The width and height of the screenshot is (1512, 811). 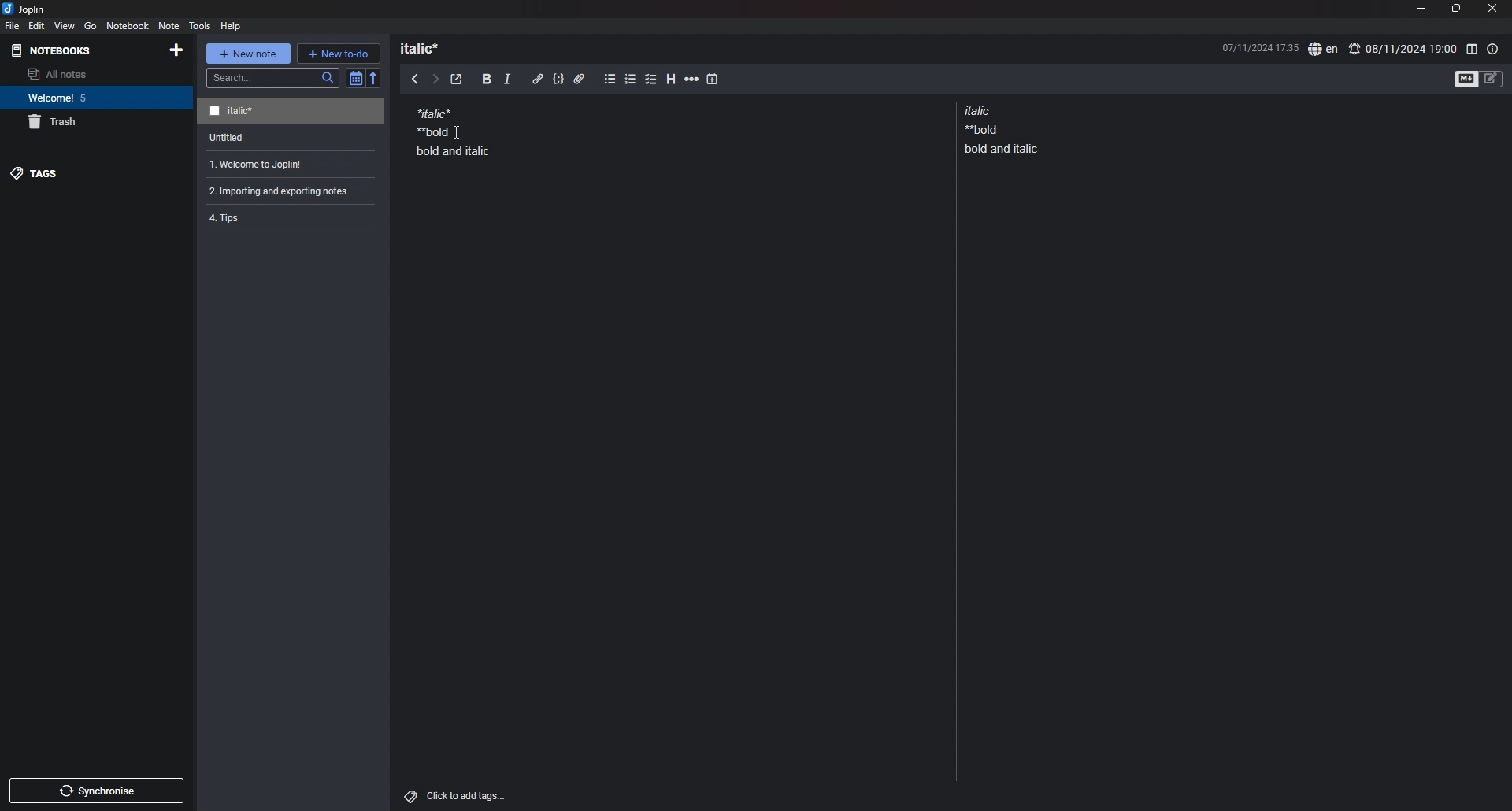 What do you see at coordinates (558, 80) in the screenshot?
I see `code` at bounding box center [558, 80].